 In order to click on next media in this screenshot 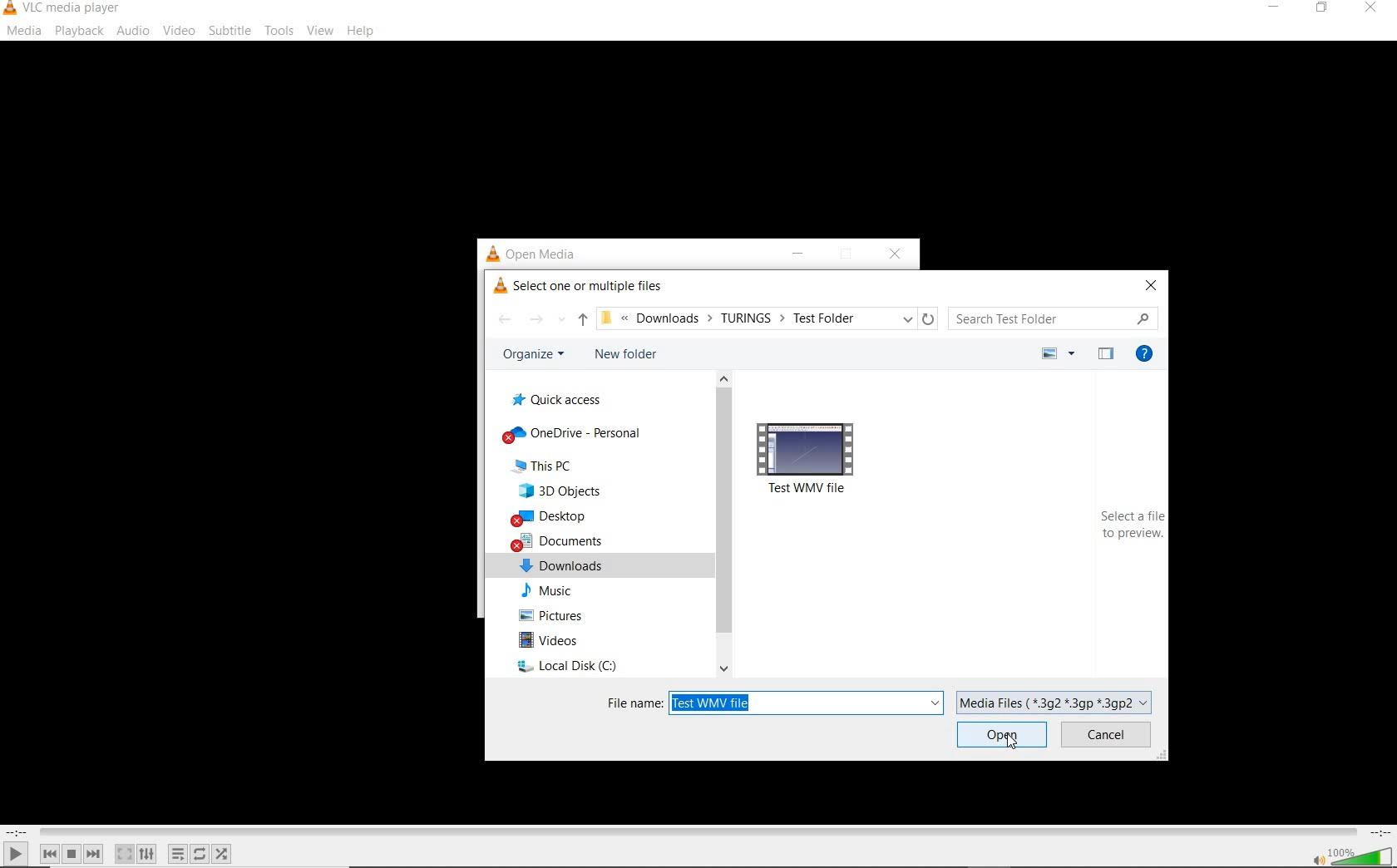, I will do `click(95, 854)`.